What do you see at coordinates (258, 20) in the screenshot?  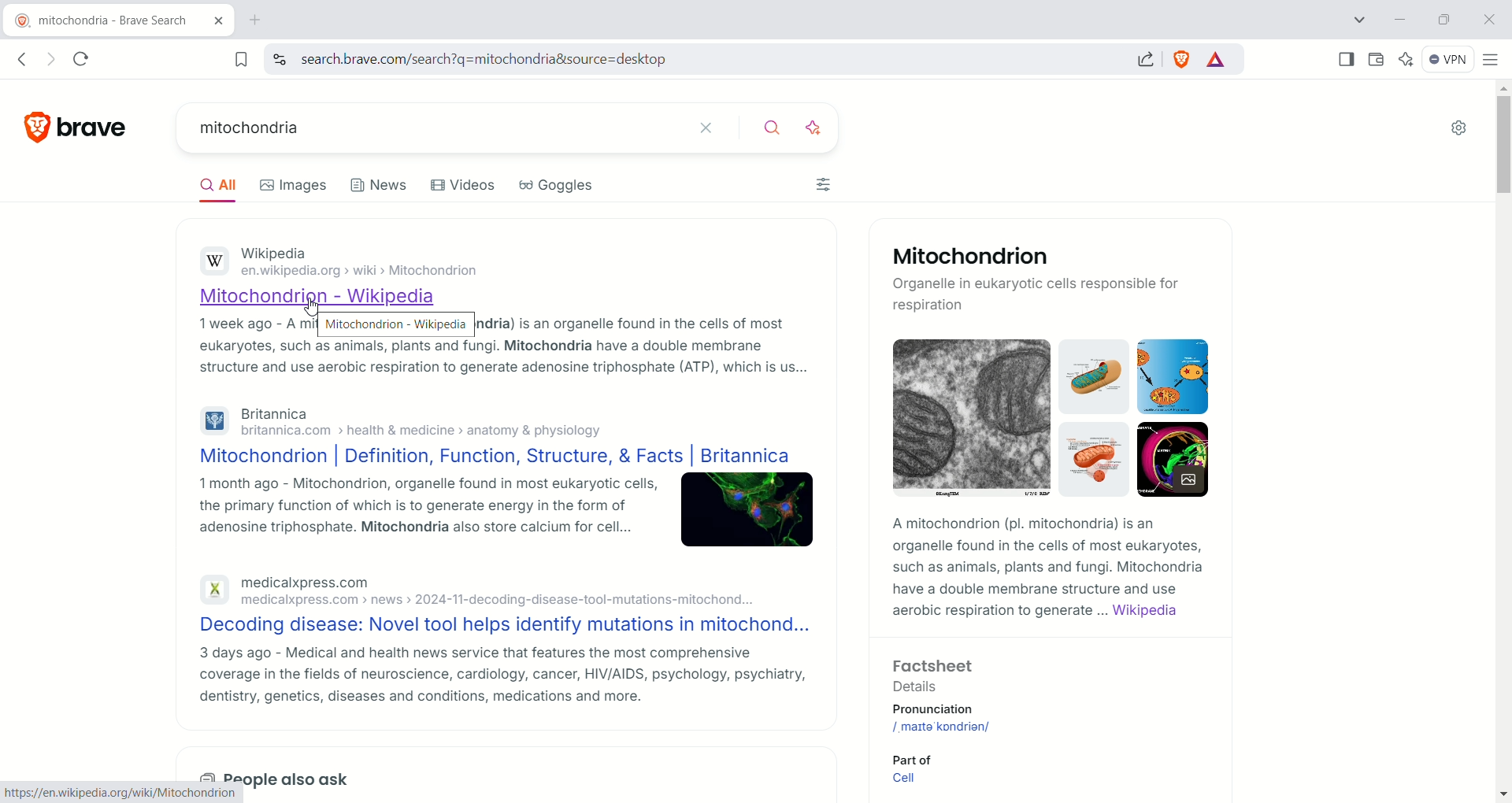 I see `new tab` at bounding box center [258, 20].